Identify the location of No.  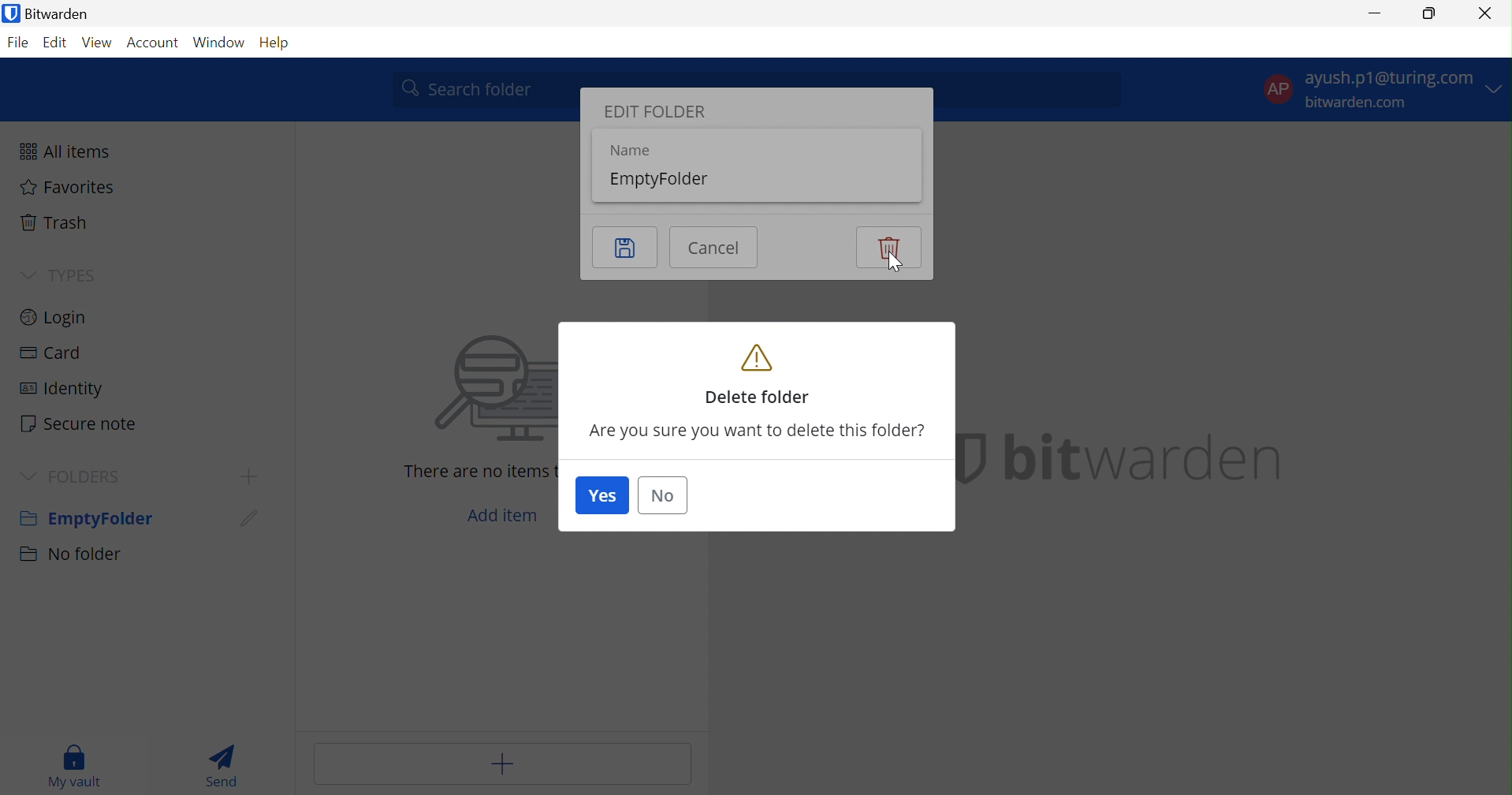
(664, 496).